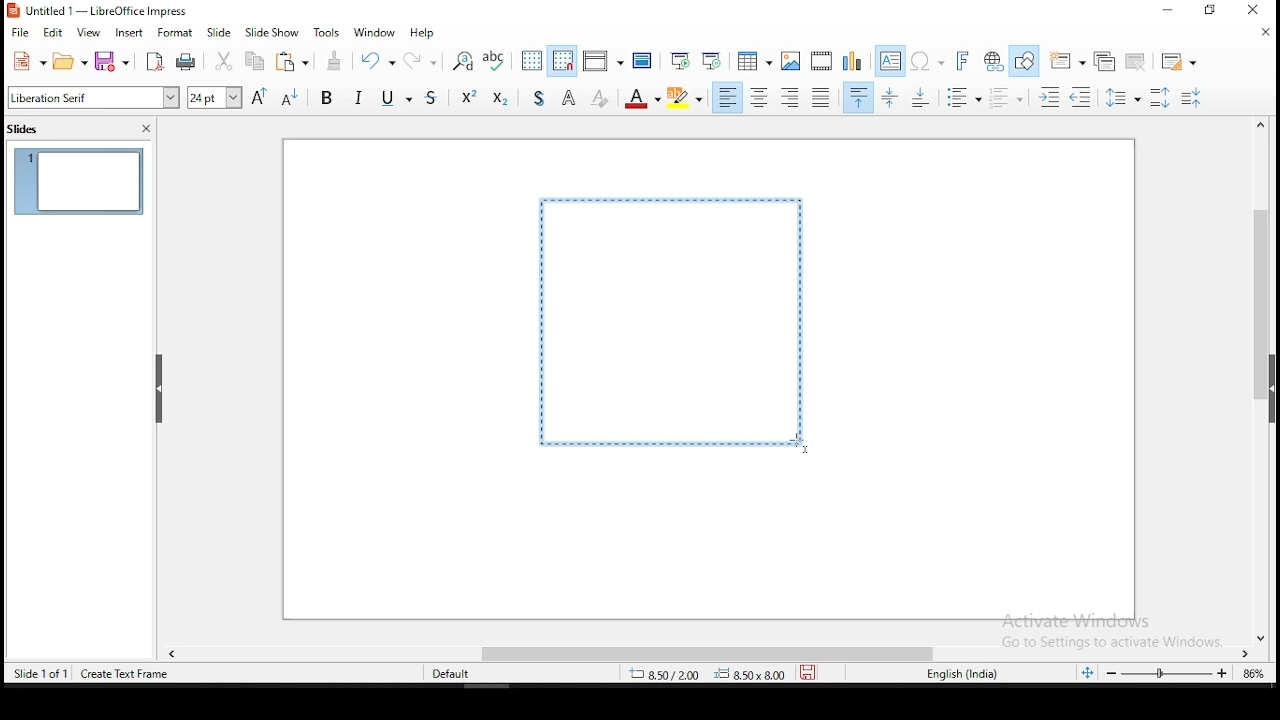 The height and width of the screenshot is (720, 1280). What do you see at coordinates (1167, 674) in the screenshot?
I see `zoom slider` at bounding box center [1167, 674].